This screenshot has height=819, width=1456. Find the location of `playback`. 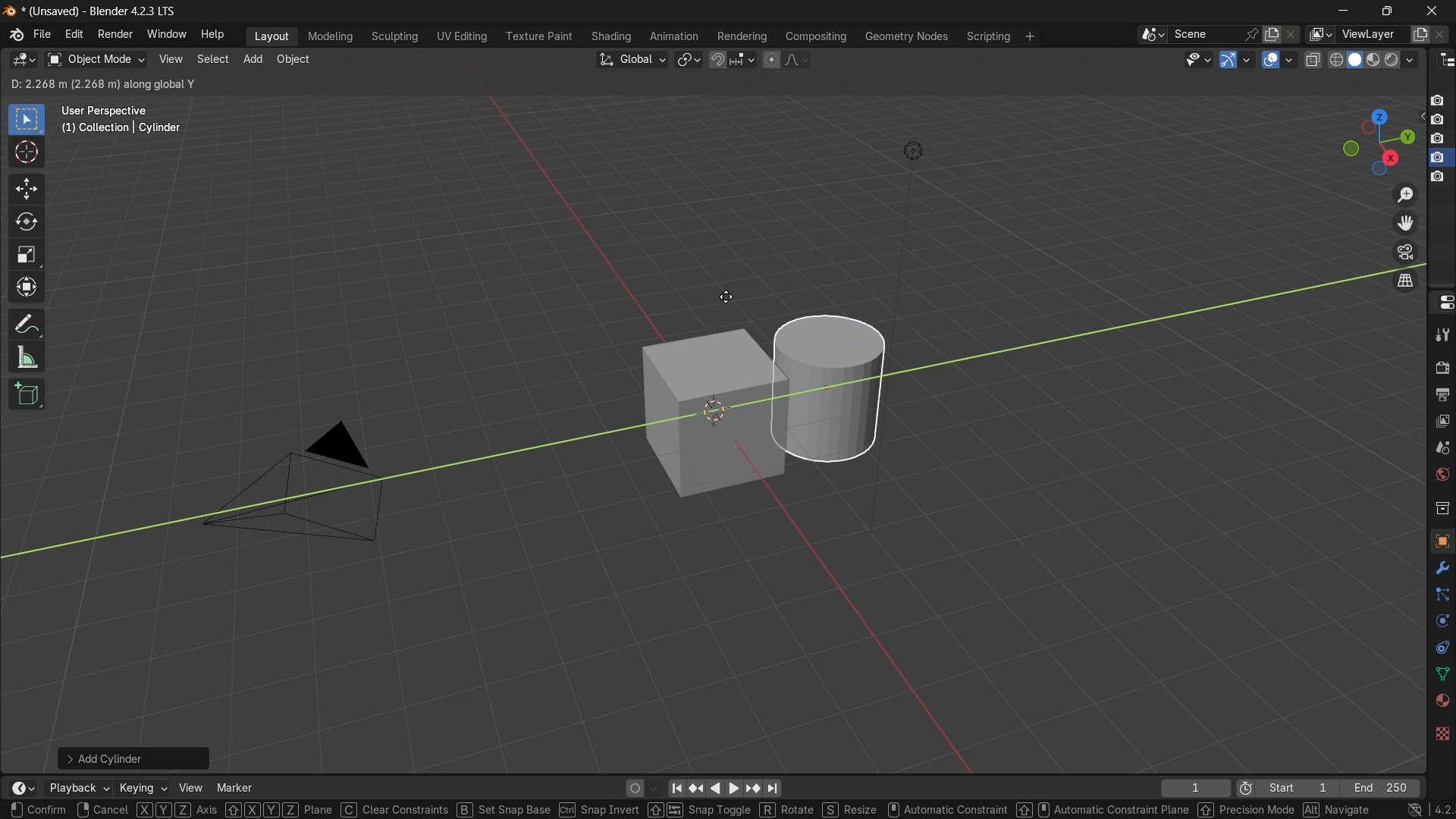

playback is located at coordinates (78, 789).